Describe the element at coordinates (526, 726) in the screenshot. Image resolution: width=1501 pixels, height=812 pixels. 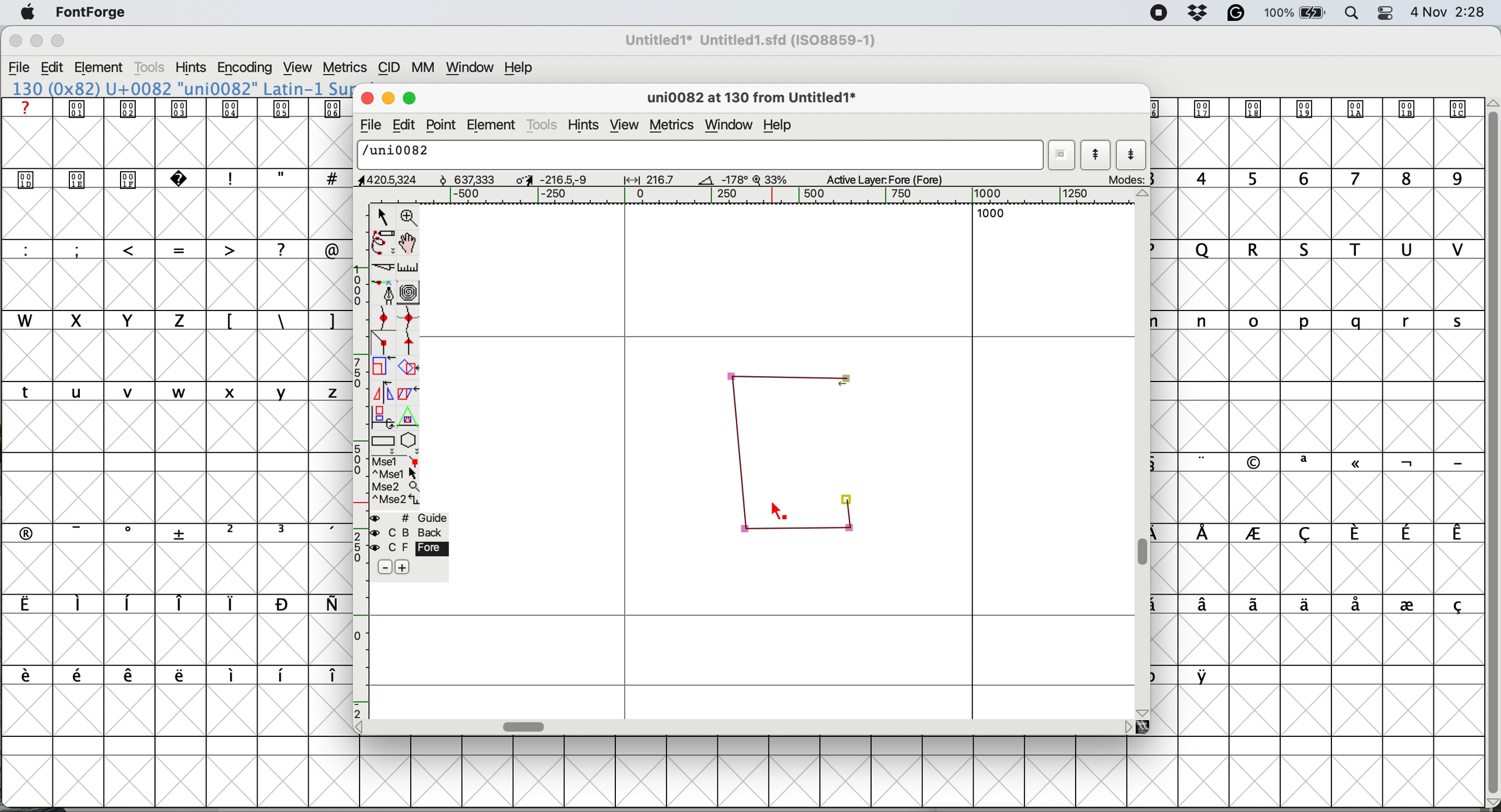
I see `horizontal scroll bar` at that location.